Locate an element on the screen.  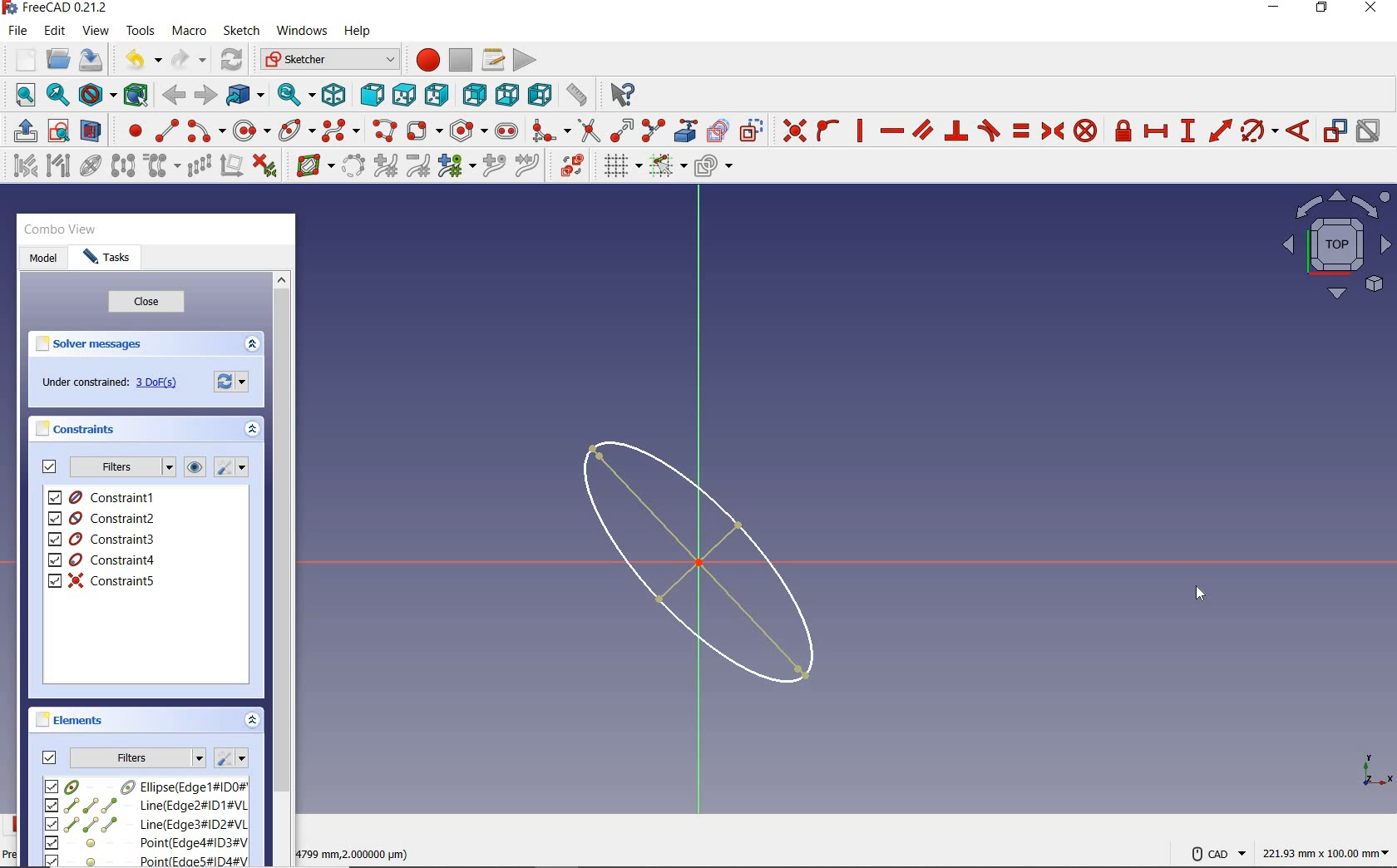
create arc is located at coordinates (206, 129).